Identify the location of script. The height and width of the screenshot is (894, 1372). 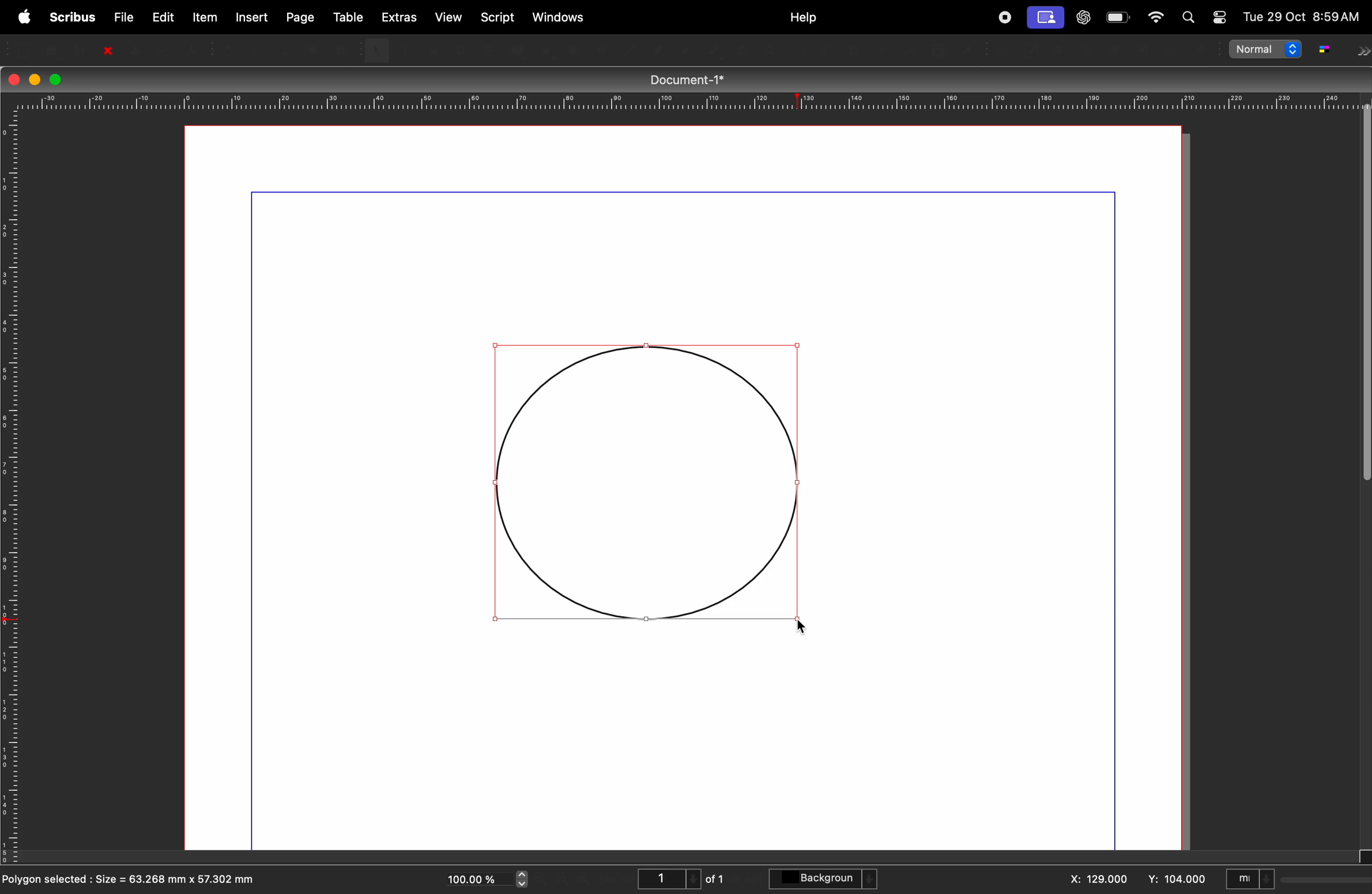
(500, 16).